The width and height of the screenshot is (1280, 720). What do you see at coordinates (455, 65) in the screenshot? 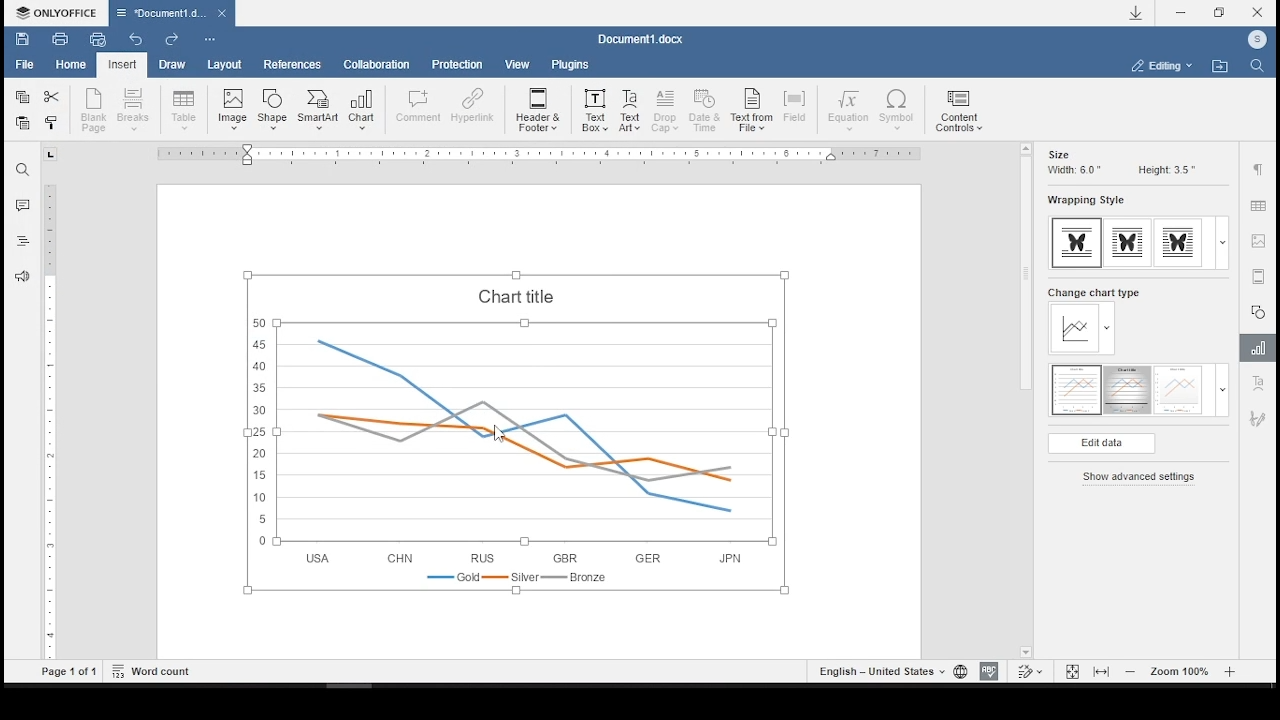
I see `protection` at bounding box center [455, 65].